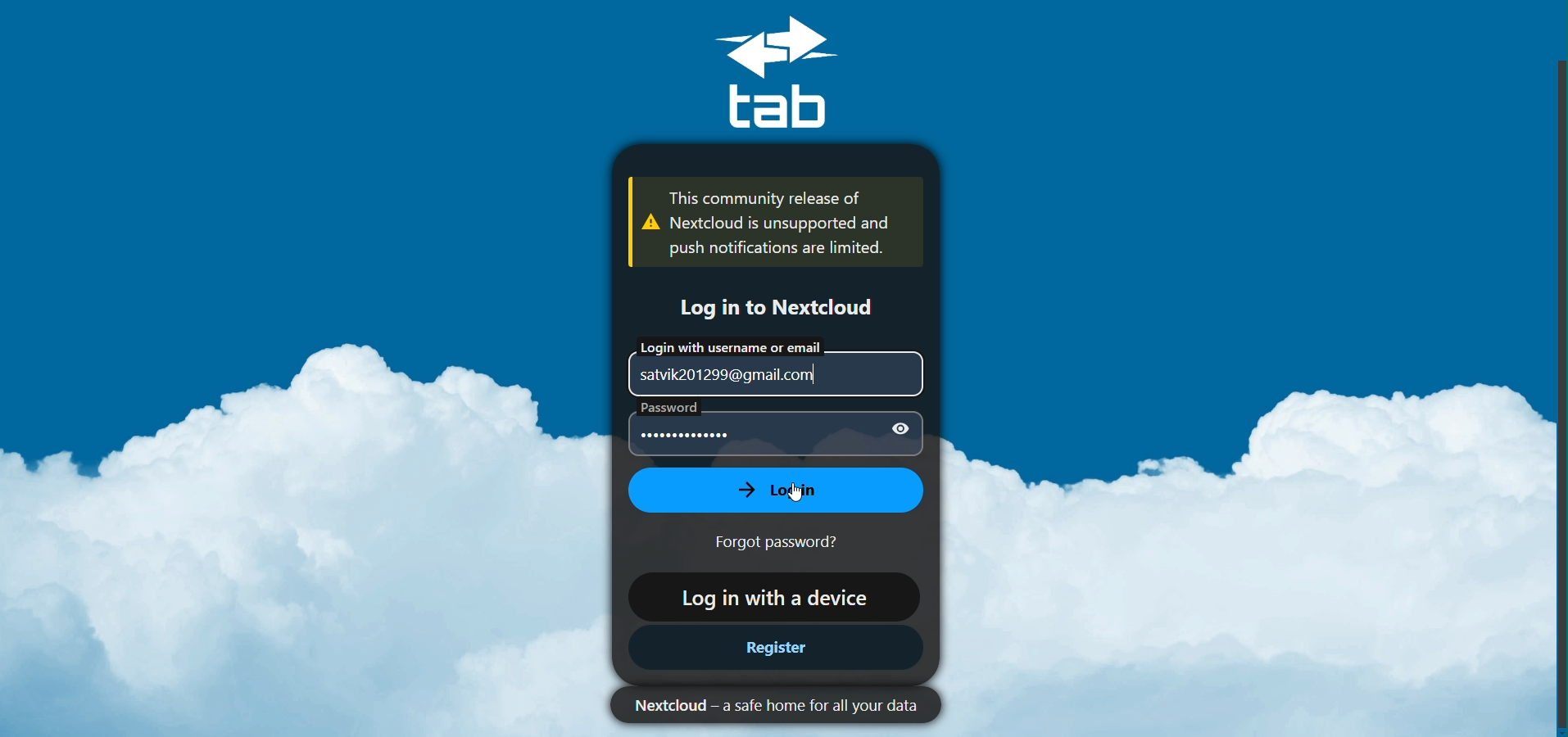  Describe the element at coordinates (774, 649) in the screenshot. I see `Register` at that location.